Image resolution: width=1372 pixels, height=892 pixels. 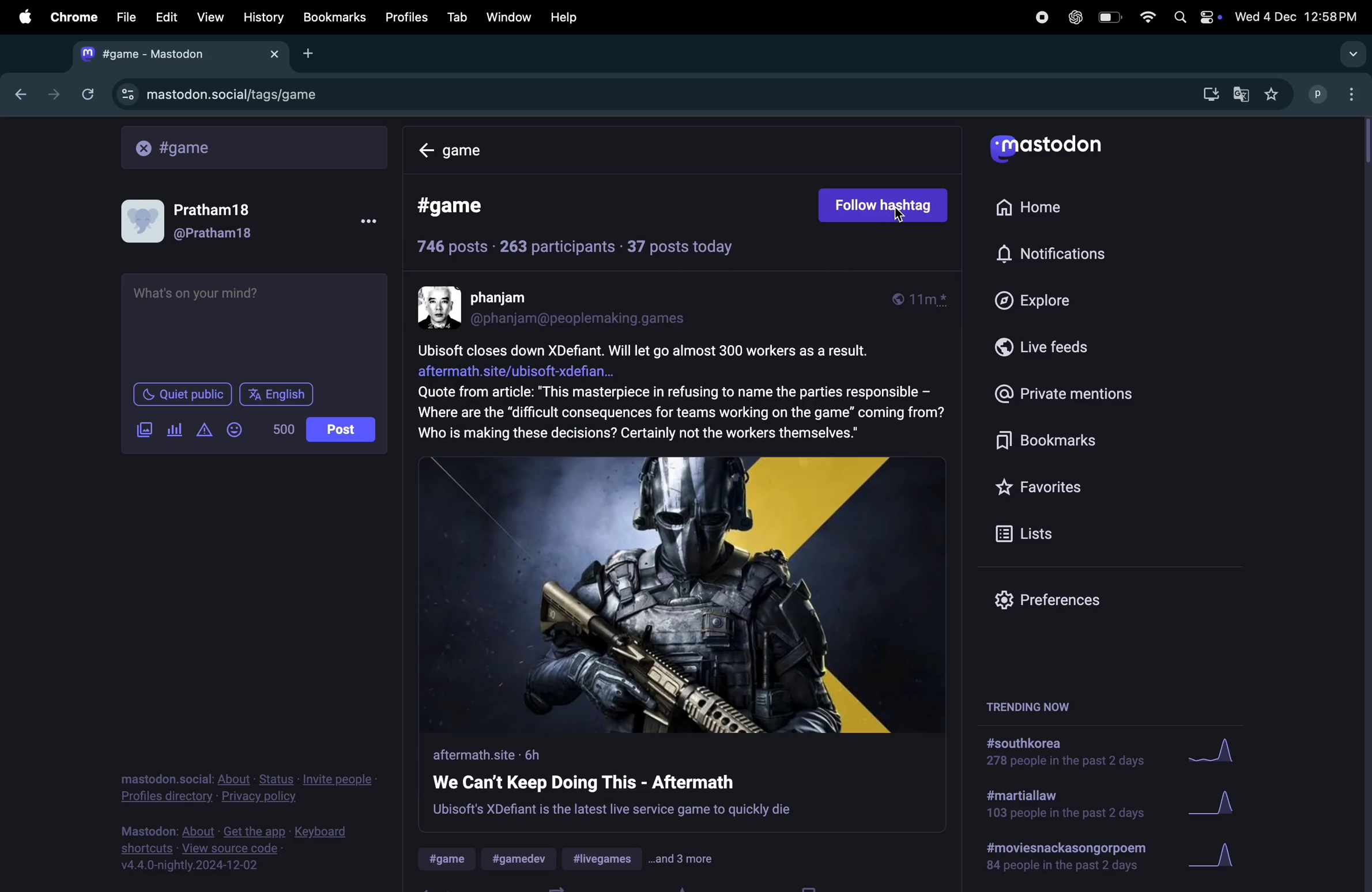 I want to click on apple widgets, so click(x=1193, y=16).